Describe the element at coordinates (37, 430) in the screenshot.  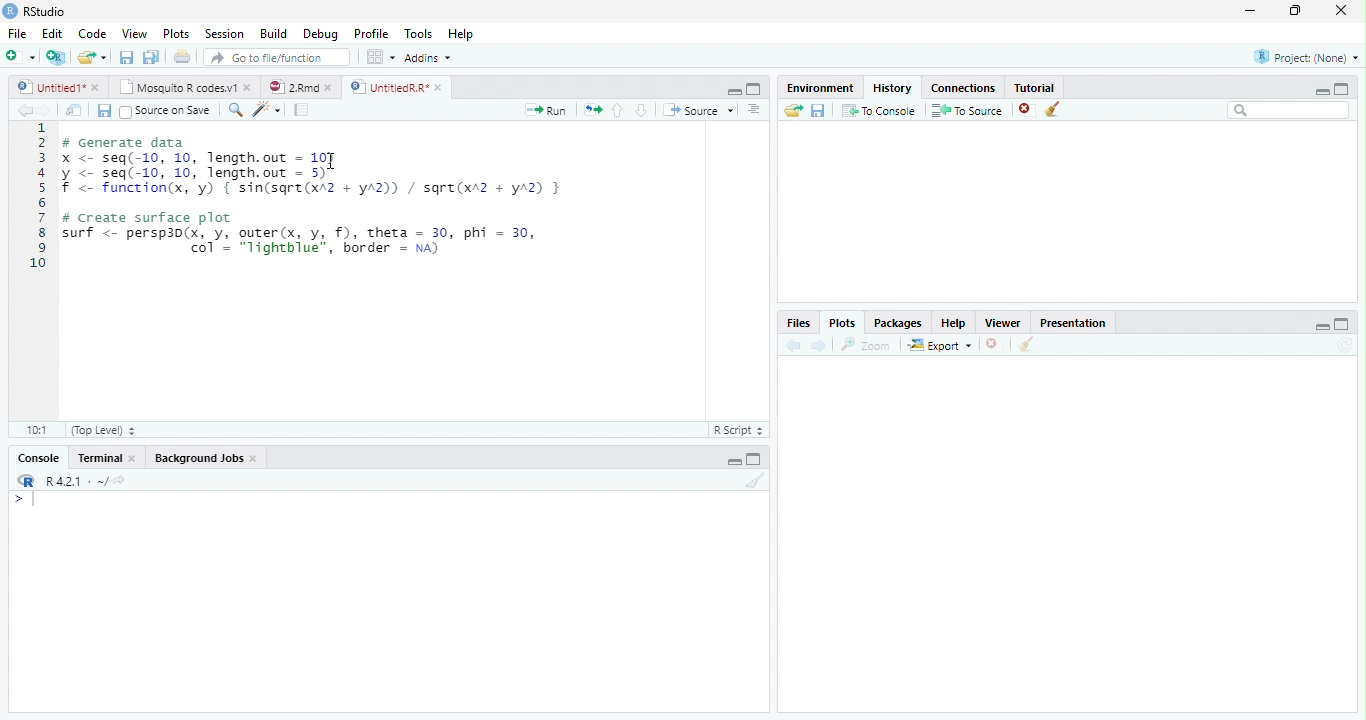
I see `1:1` at that location.